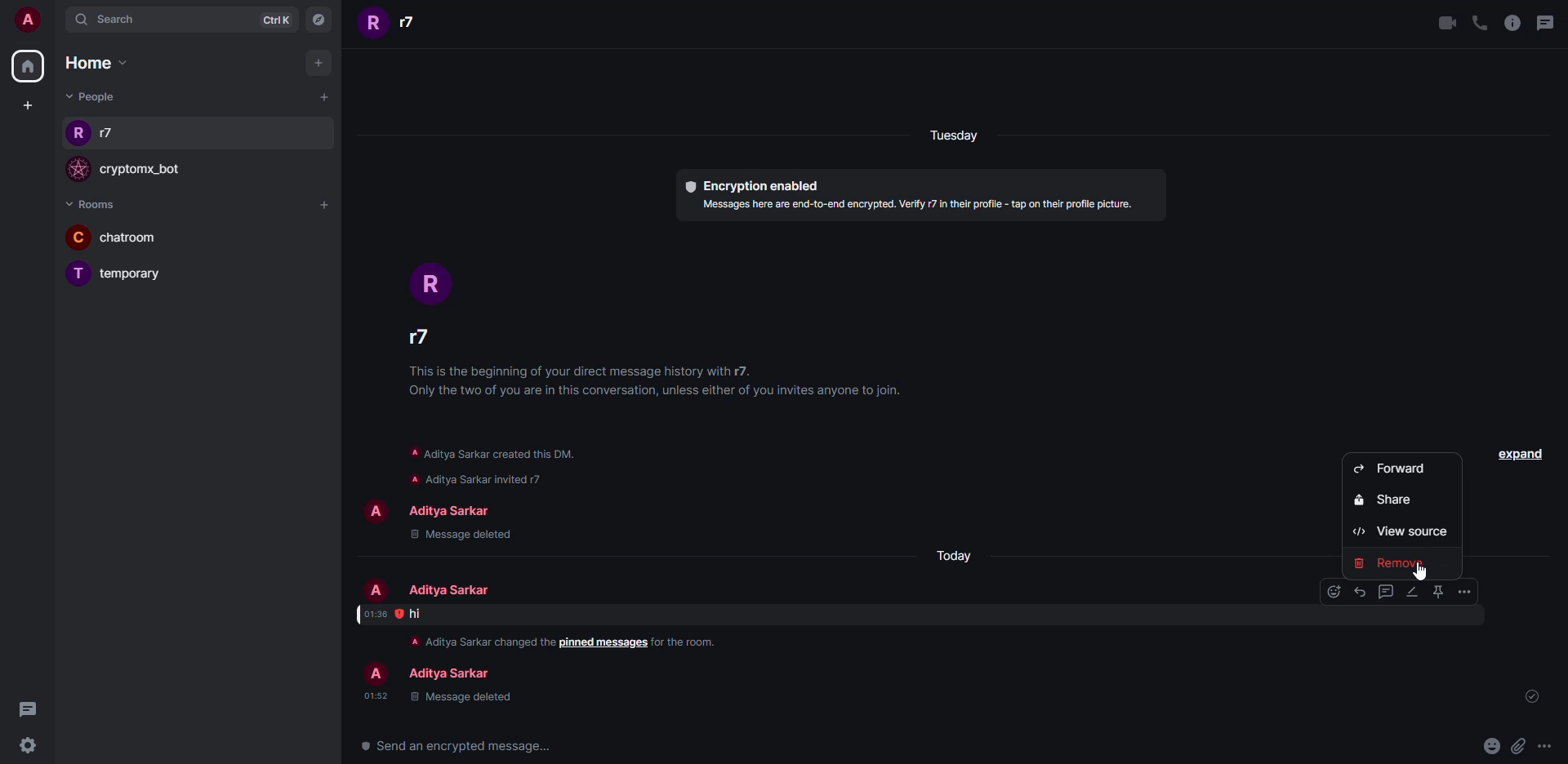 The height and width of the screenshot is (764, 1568). What do you see at coordinates (920, 205) in the screenshot?
I see `info` at bounding box center [920, 205].